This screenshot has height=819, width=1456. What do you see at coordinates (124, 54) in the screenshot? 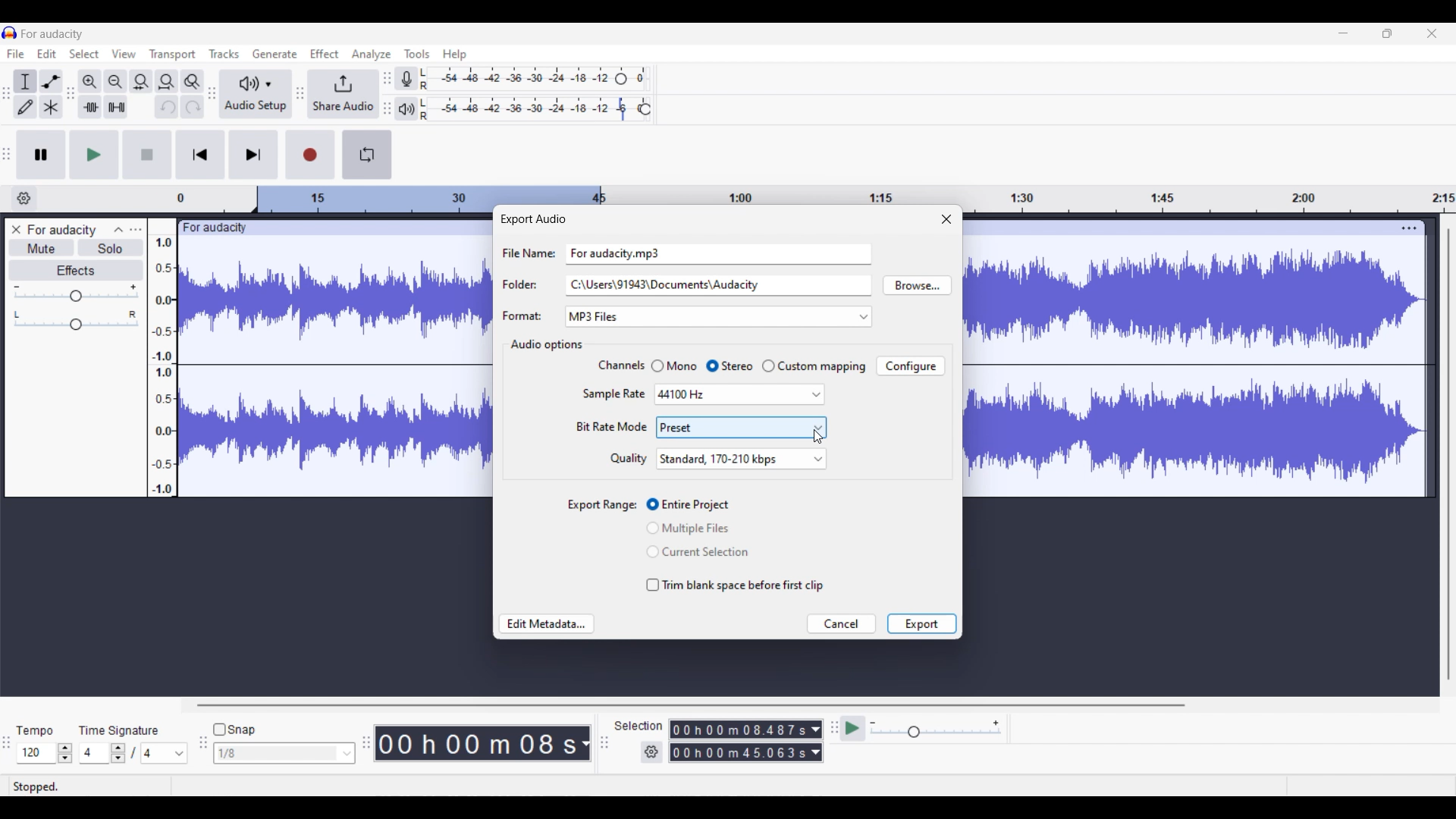
I see `View menu` at bounding box center [124, 54].